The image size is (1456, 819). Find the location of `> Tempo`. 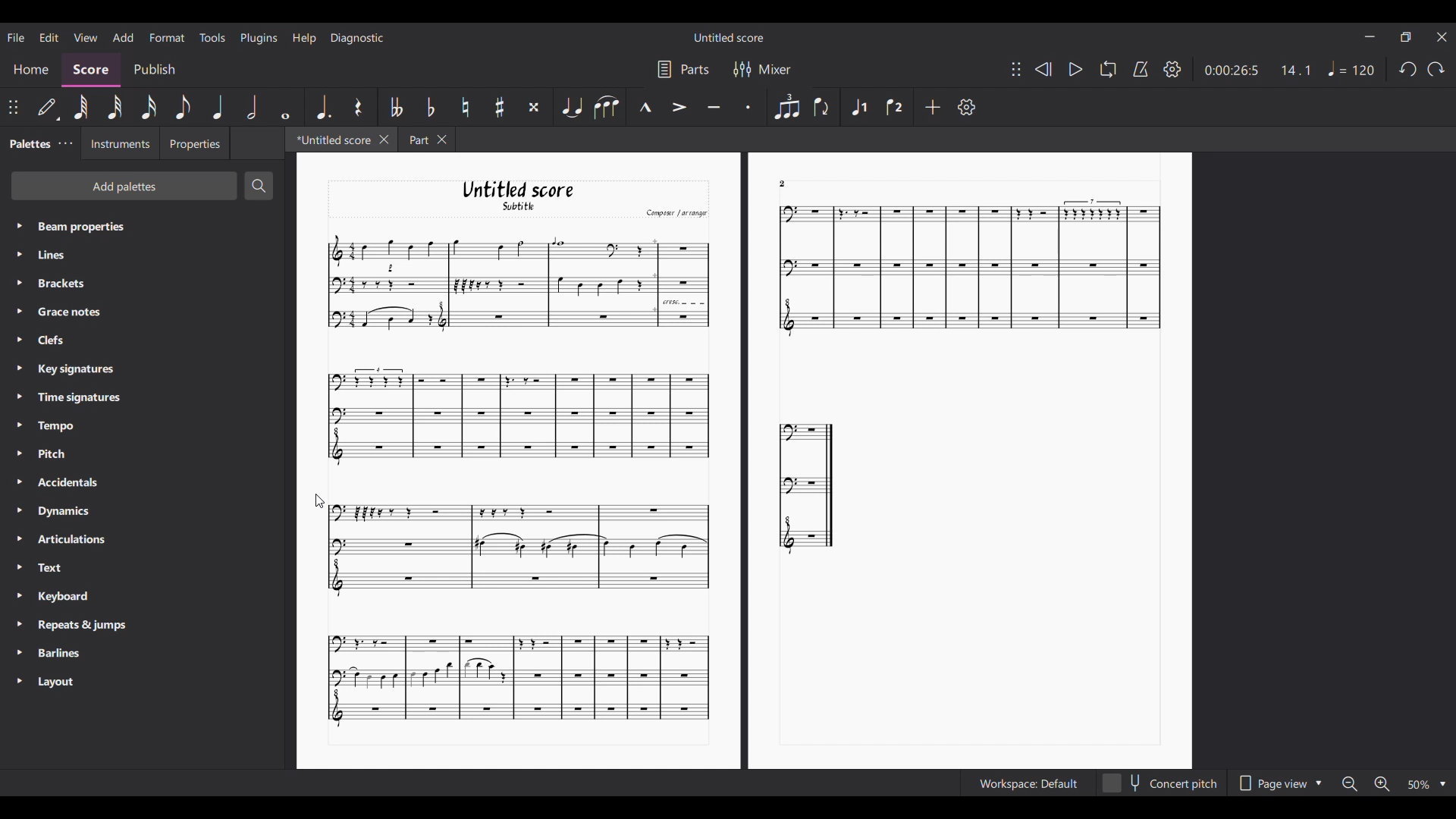

> Tempo is located at coordinates (50, 426).